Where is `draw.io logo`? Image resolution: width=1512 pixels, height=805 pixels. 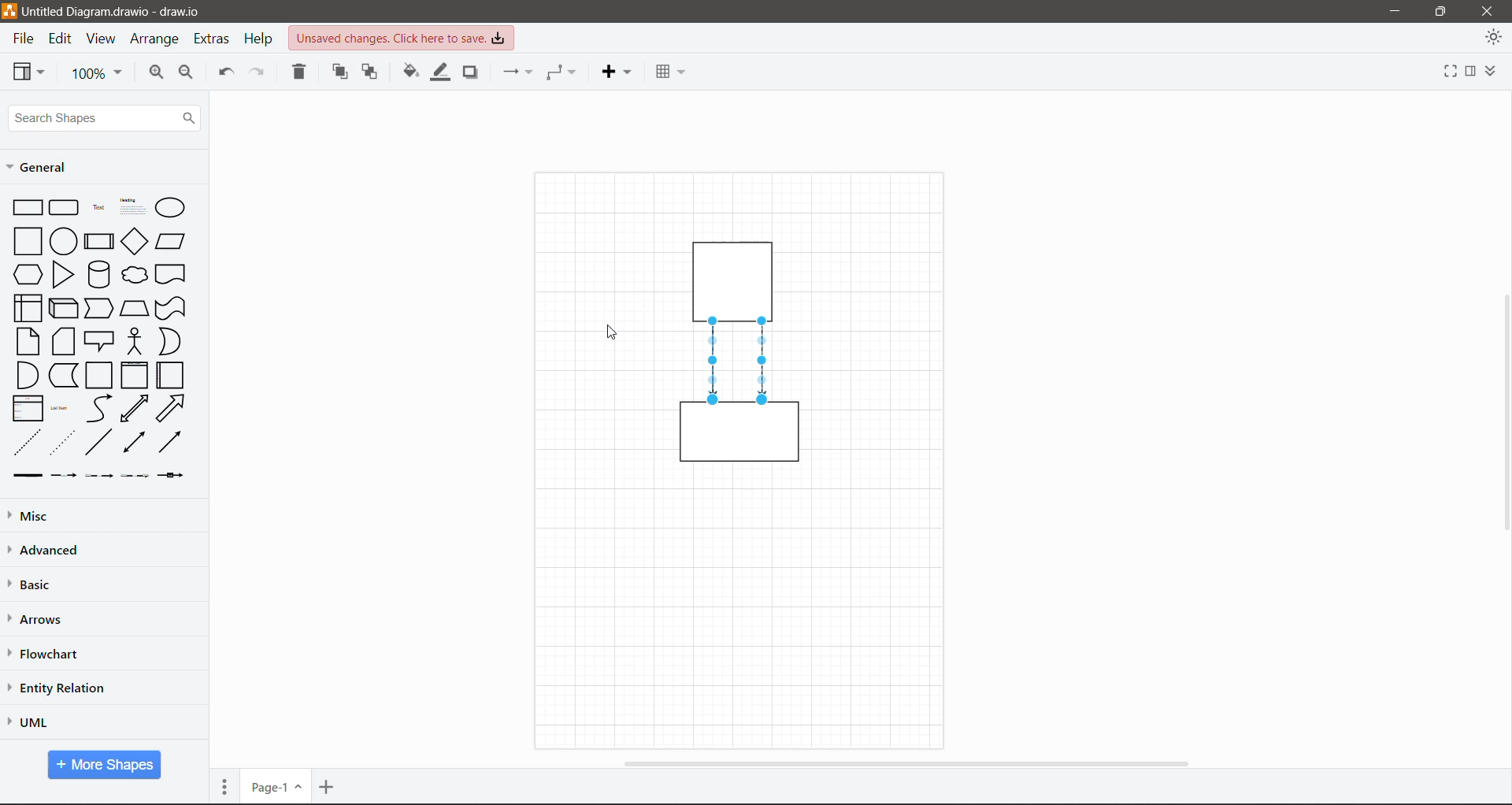 draw.io logo is located at coordinates (9, 10).